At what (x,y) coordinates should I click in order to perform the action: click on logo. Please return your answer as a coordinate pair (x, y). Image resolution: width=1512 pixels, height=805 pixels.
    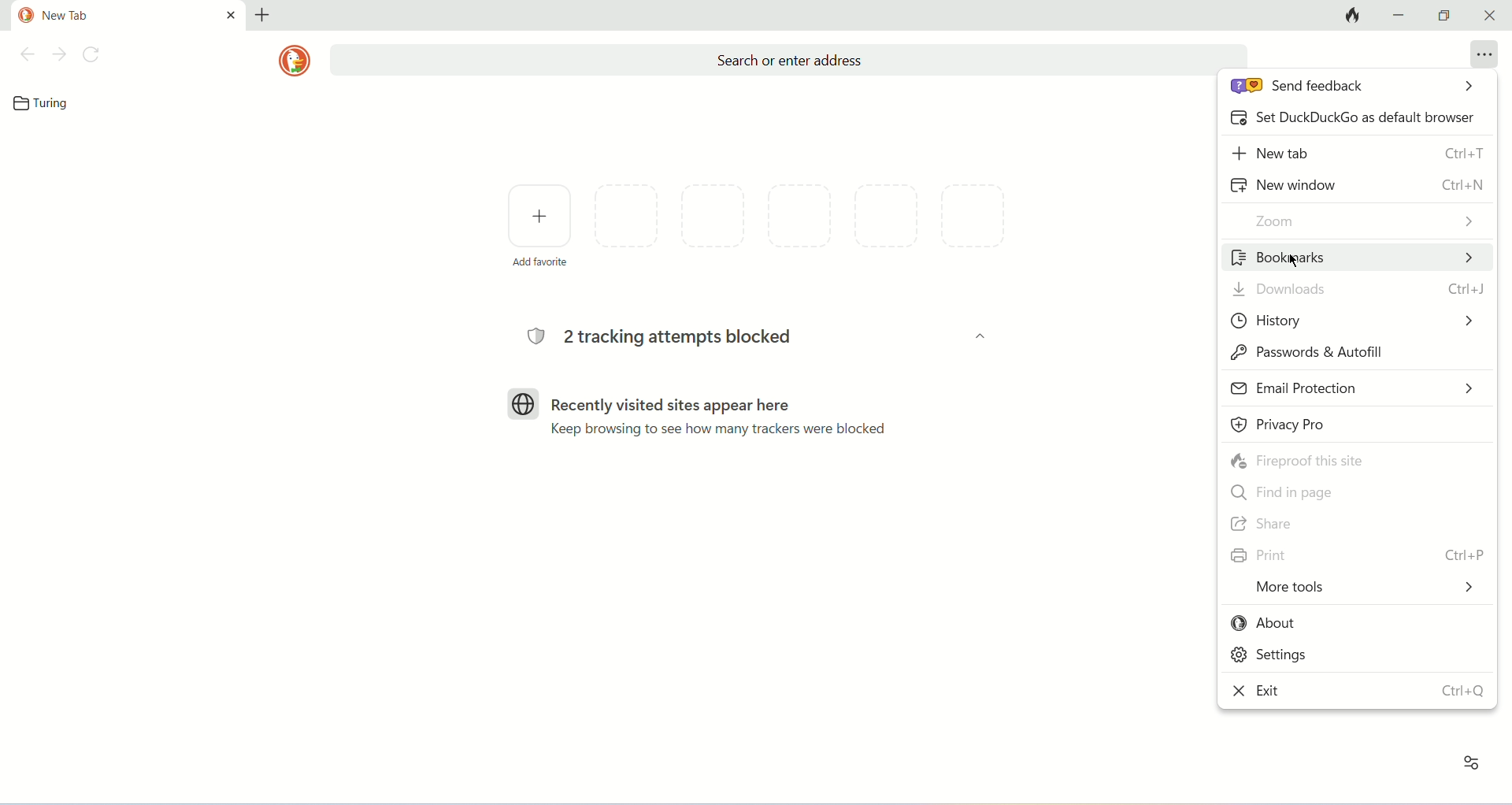
    Looking at the image, I should click on (295, 61).